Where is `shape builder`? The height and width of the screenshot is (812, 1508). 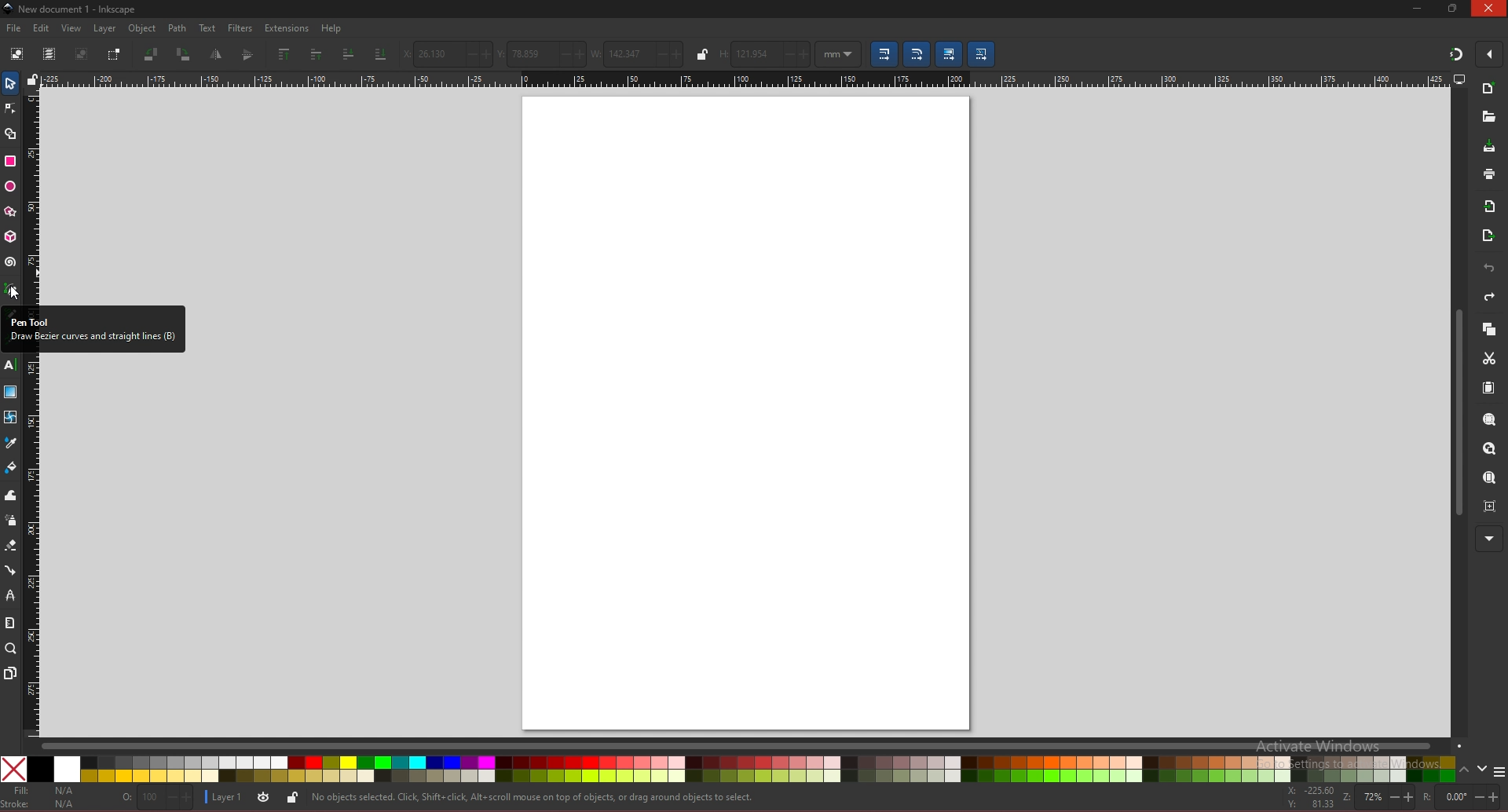 shape builder is located at coordinates (11, 134).